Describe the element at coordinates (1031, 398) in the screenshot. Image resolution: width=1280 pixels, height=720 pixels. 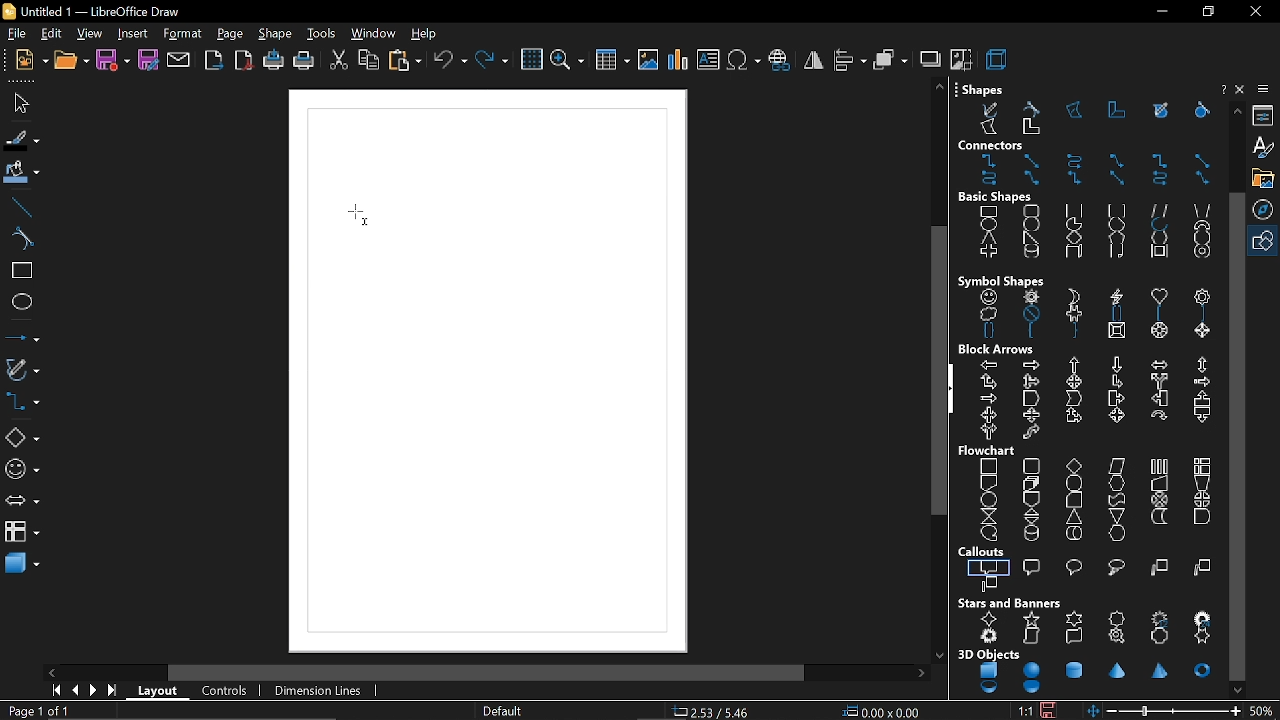
I see `pentagon` at that location.